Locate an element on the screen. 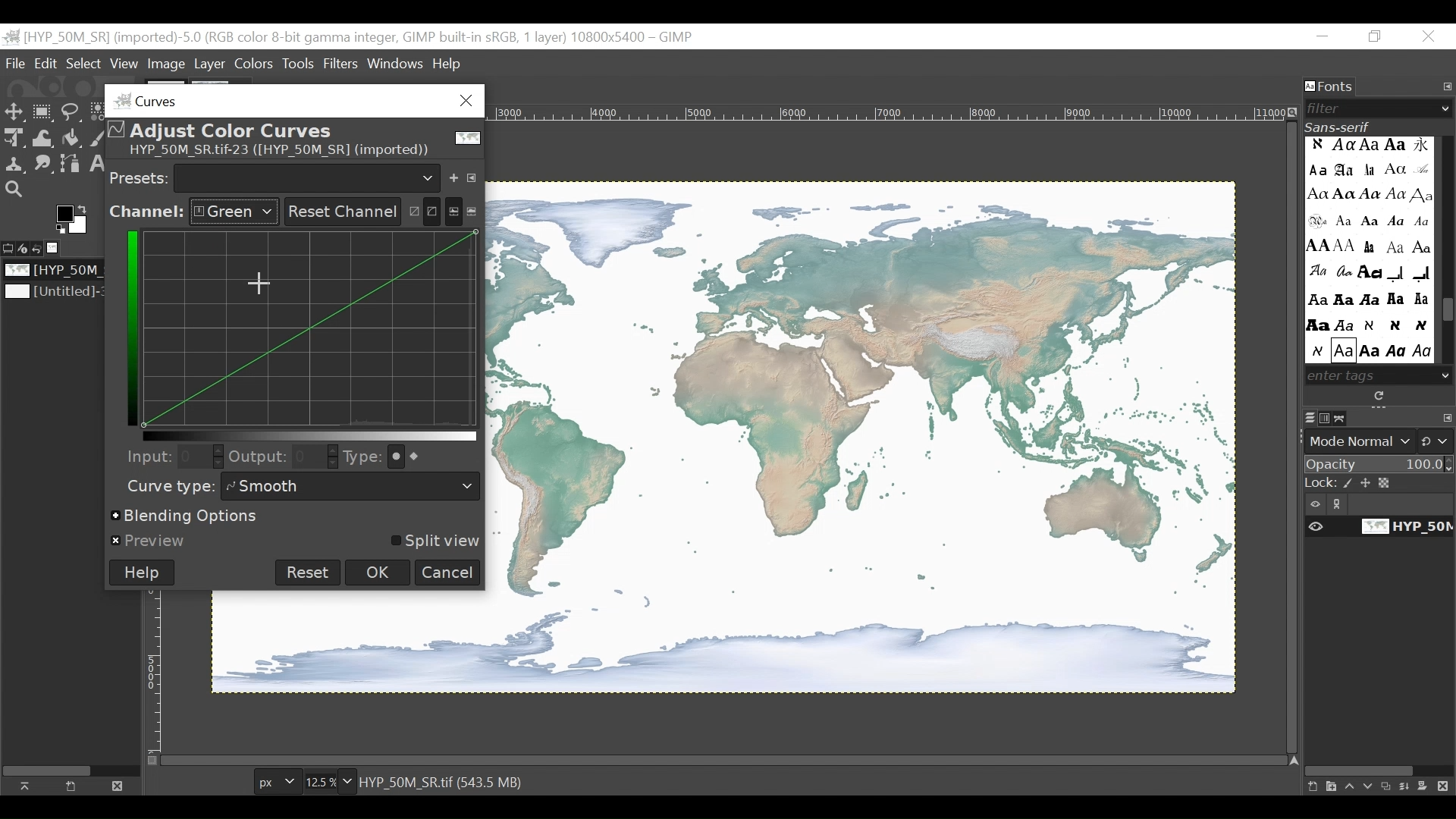 The image size is (1456, 819). Select tool is located at coordinates (14, 113).